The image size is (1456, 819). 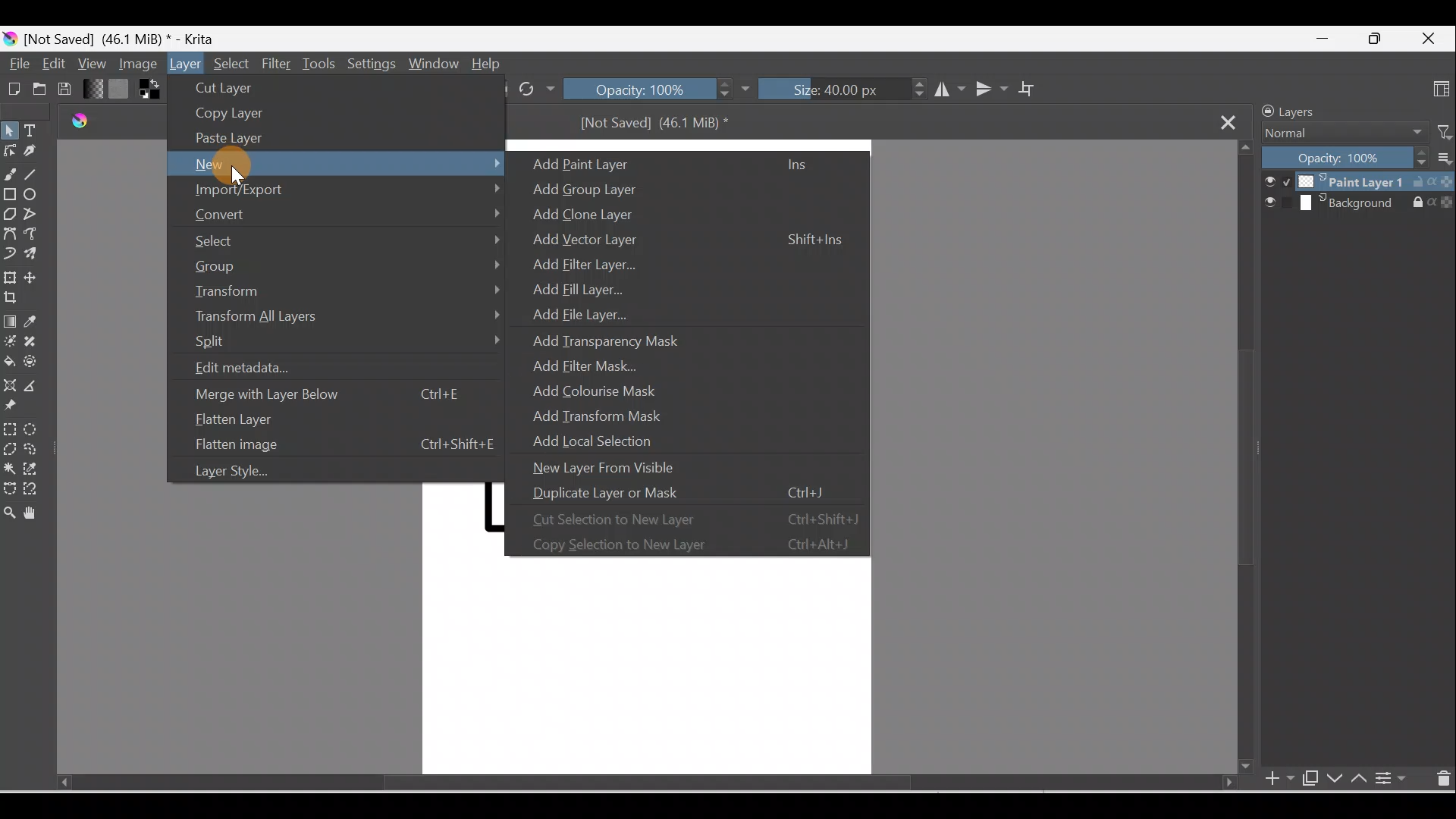 What do you see at coordinates (1442, 161) in the screenshot?
I see `More` at bounding box center [1442, 161].